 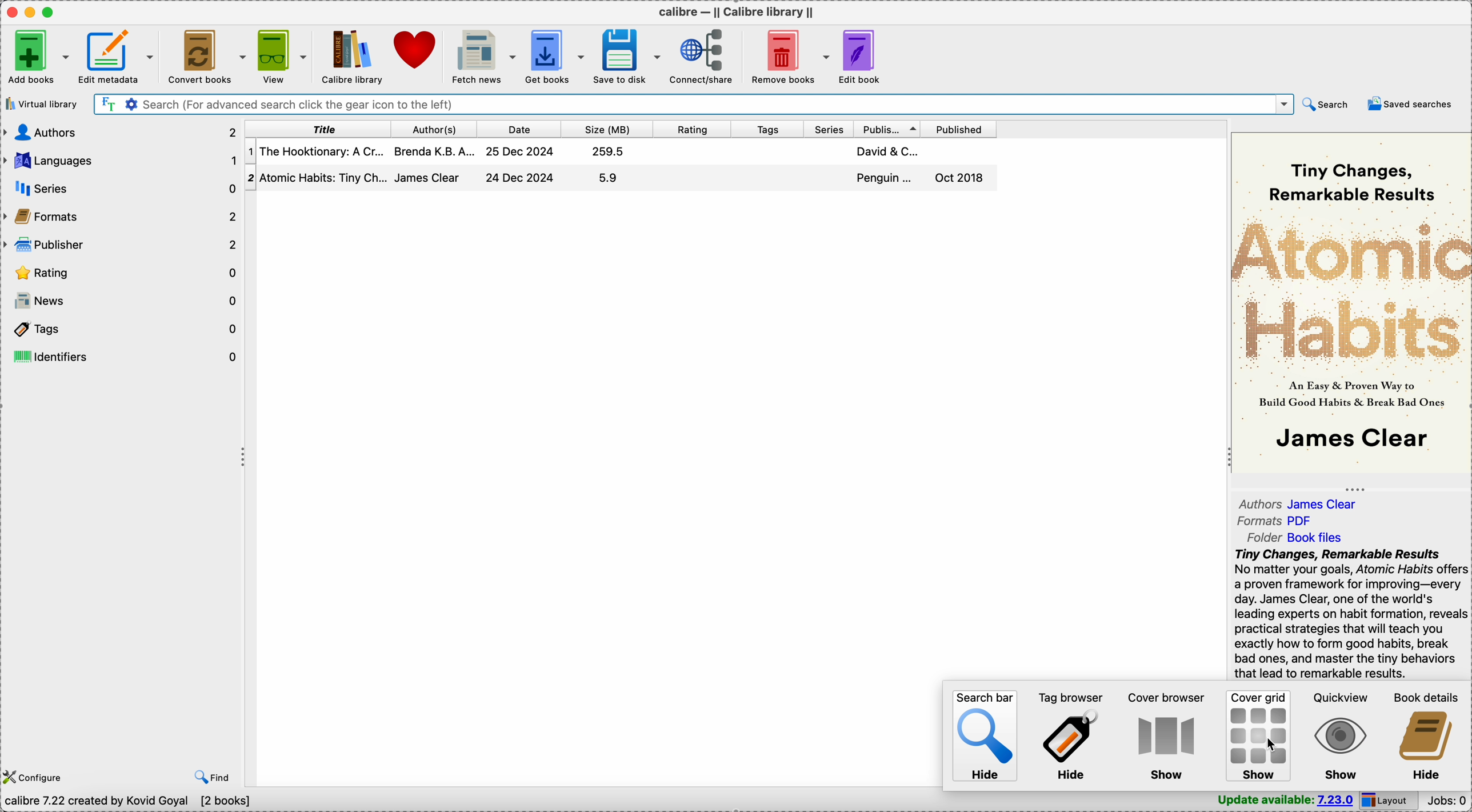 What do you see at coordinates (351, 55) in the screenshot?
I see `Calibre library` at bounding box center [351, 55].